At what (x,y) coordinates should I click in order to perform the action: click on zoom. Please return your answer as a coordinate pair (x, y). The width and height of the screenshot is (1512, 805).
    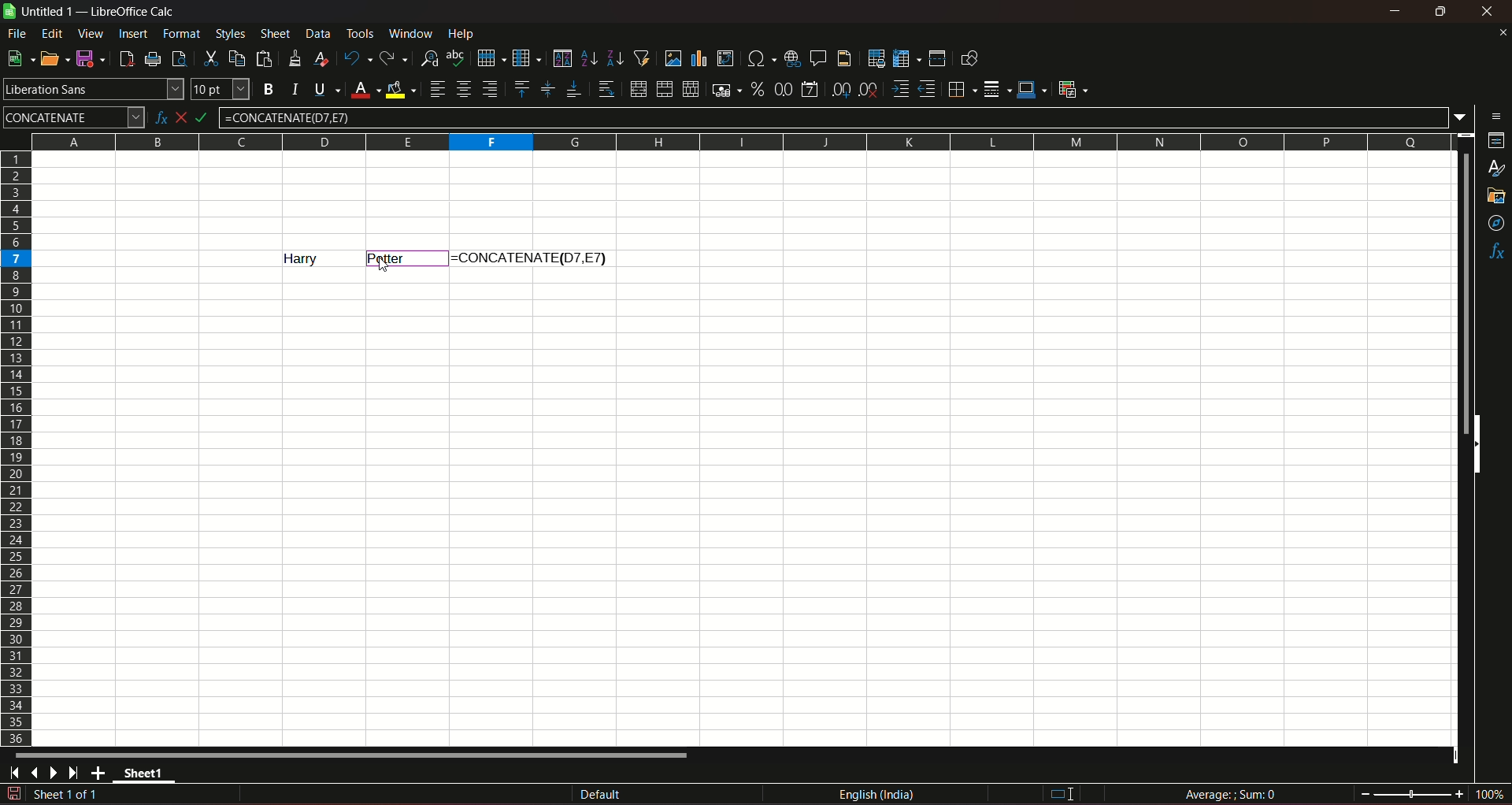
    Looking at the image, I should click on (1432, 792).